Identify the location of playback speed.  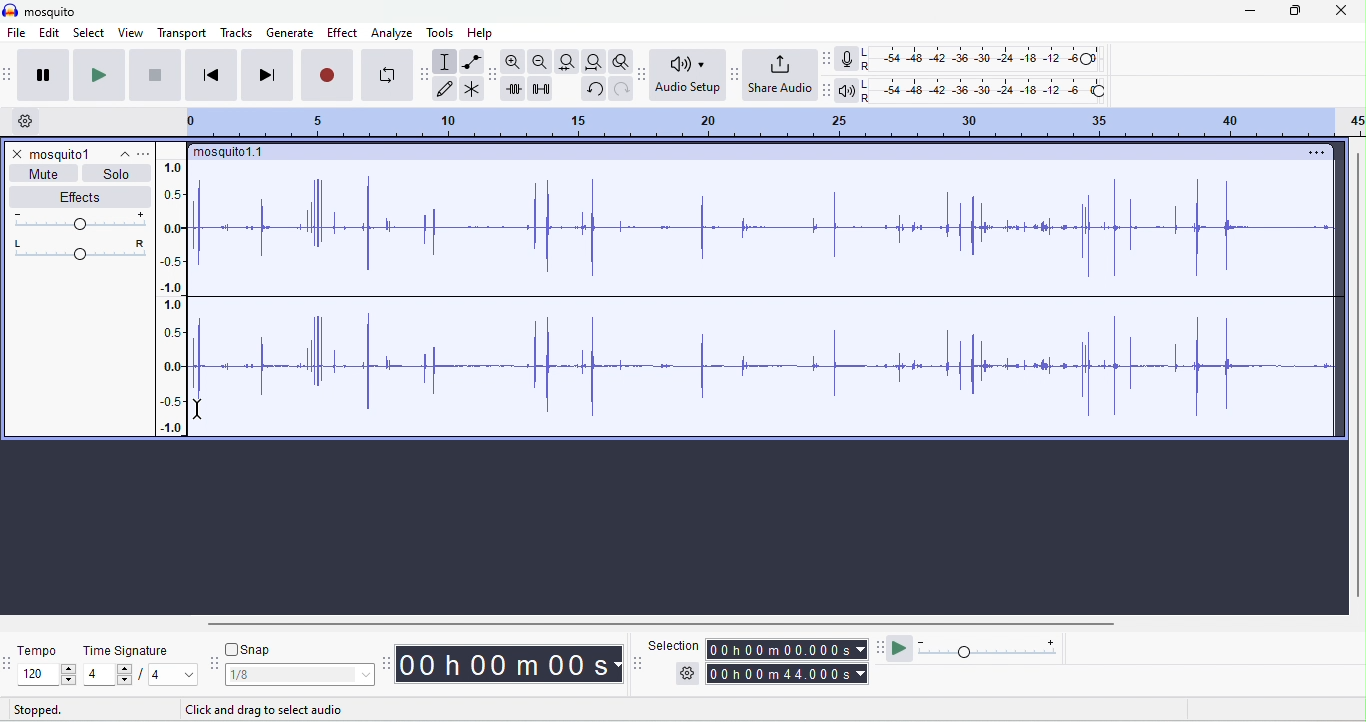
(993, 648).